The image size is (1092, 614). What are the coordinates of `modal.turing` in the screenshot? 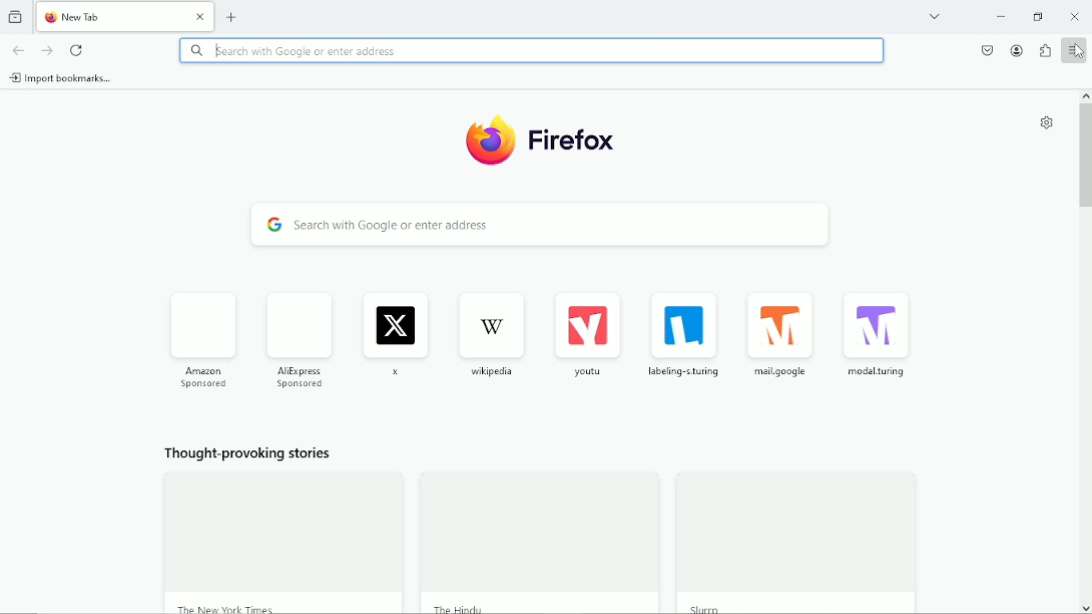 It's located at (881, 333).